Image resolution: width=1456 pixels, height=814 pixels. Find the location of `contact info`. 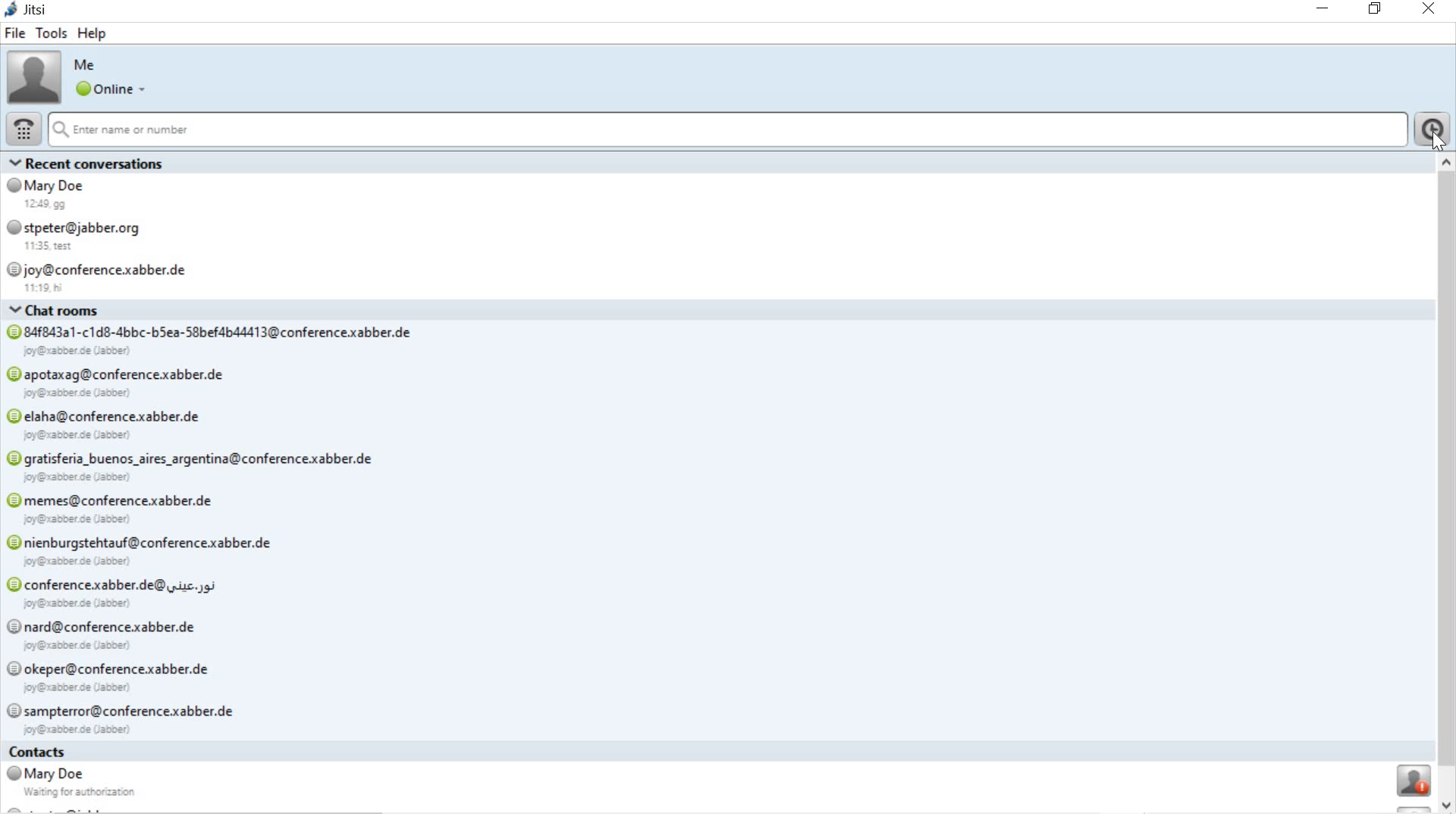

contact info is located at coordinates (717, 779).